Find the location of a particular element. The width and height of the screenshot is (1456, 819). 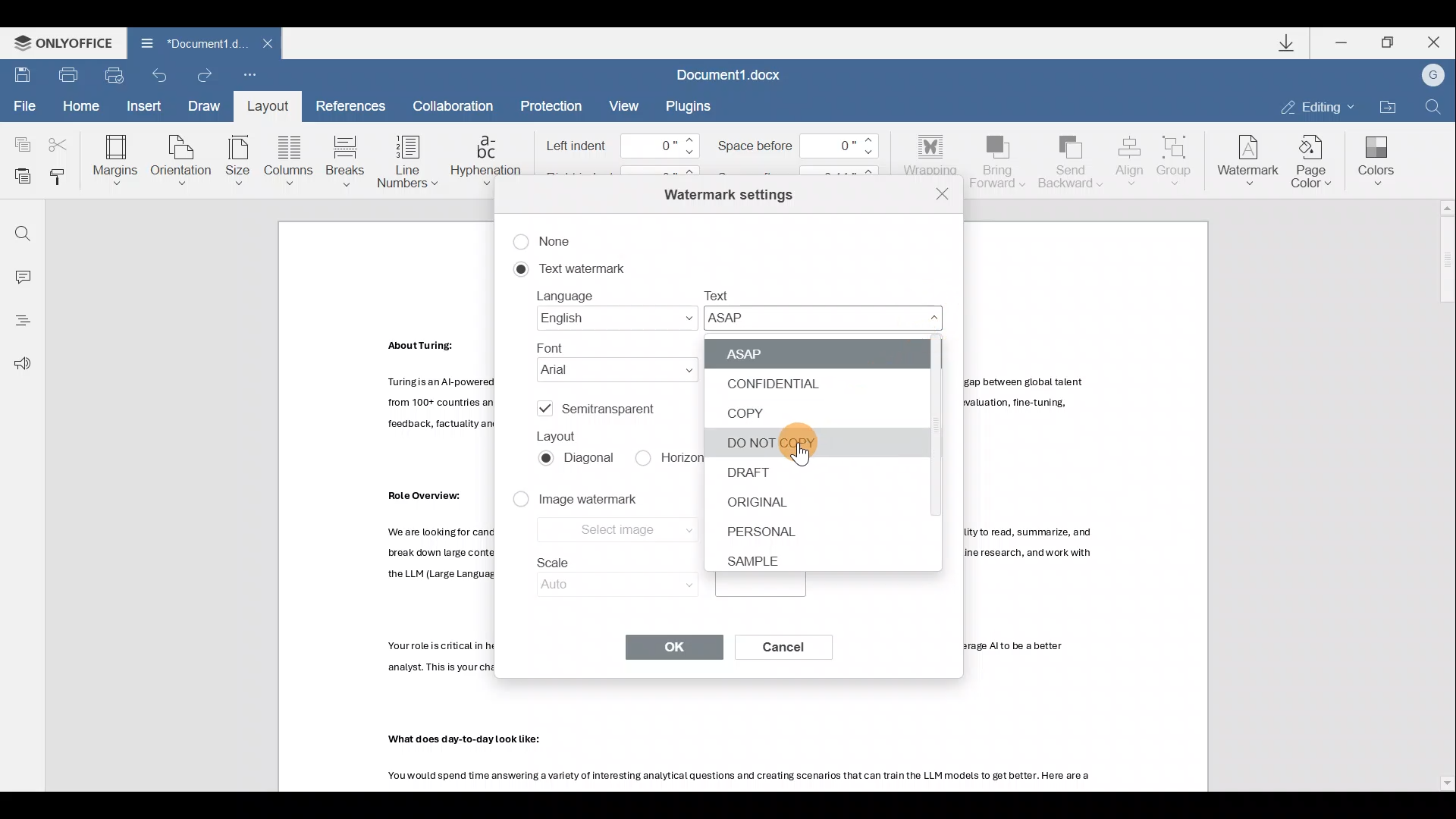

DO NOT COPY is located at coordinates (795, 441).